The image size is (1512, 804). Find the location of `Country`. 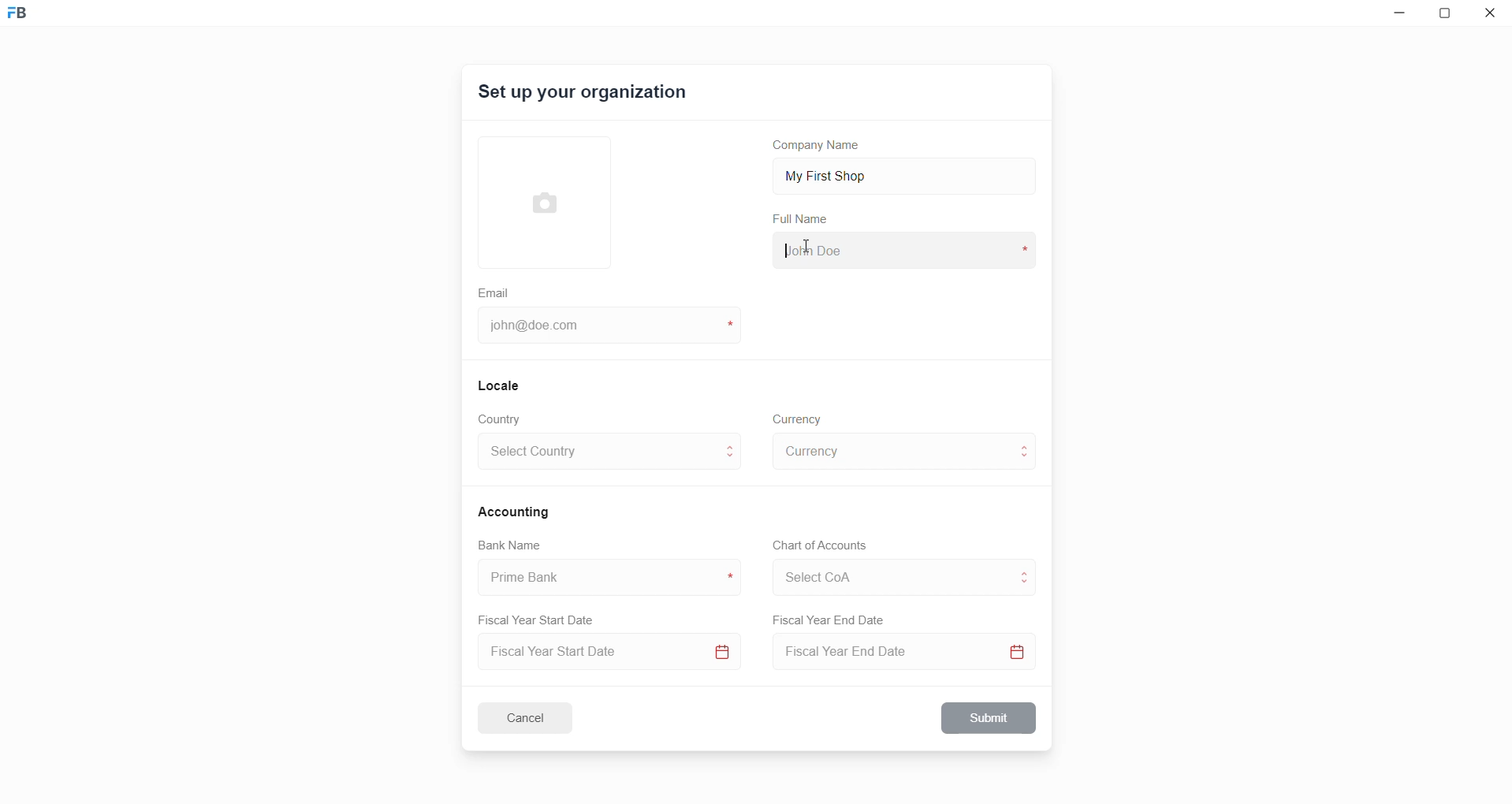

Country is located at coordinates (503, 419).